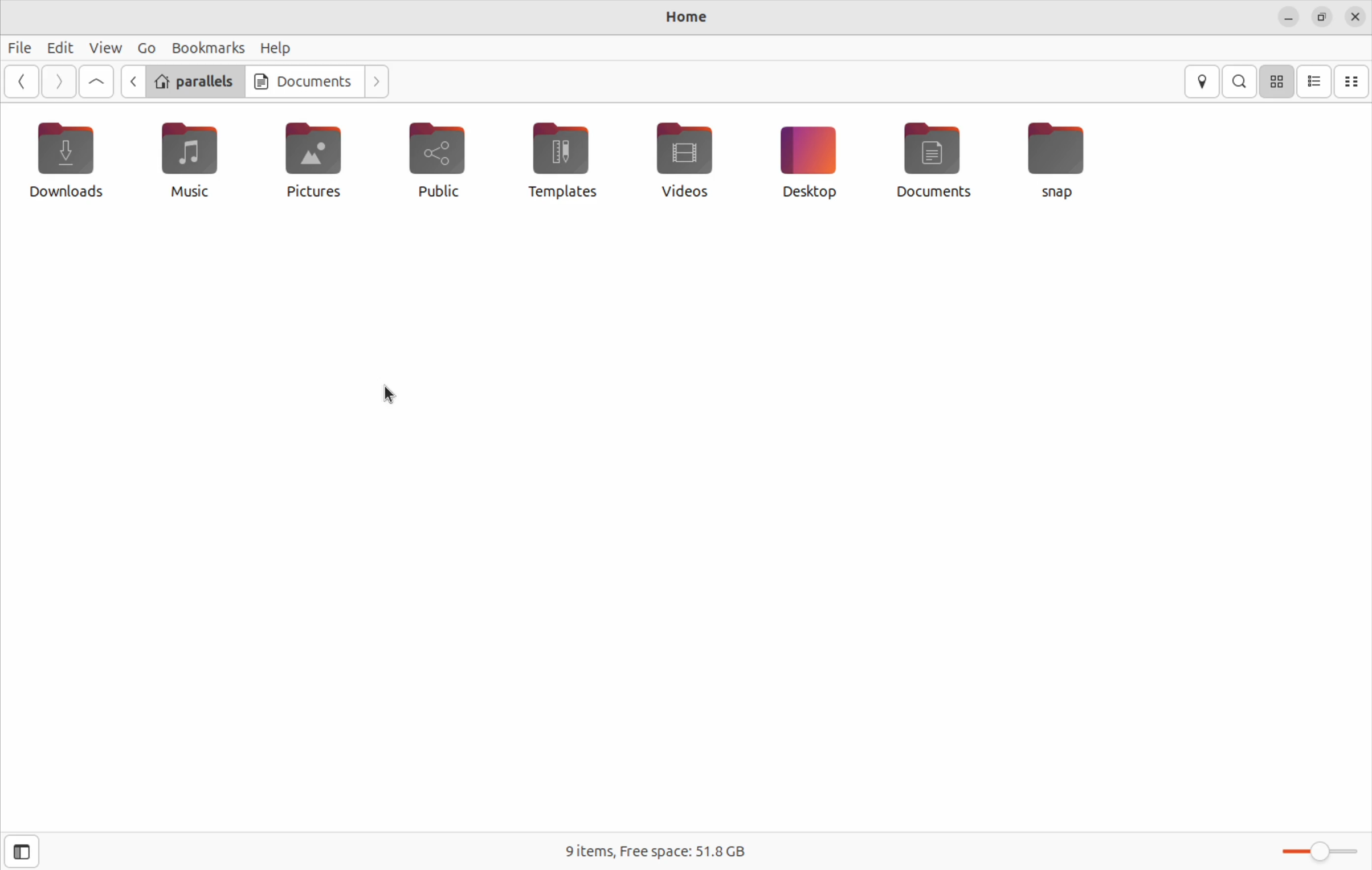  I want to click on parallels, so click(198, 82).